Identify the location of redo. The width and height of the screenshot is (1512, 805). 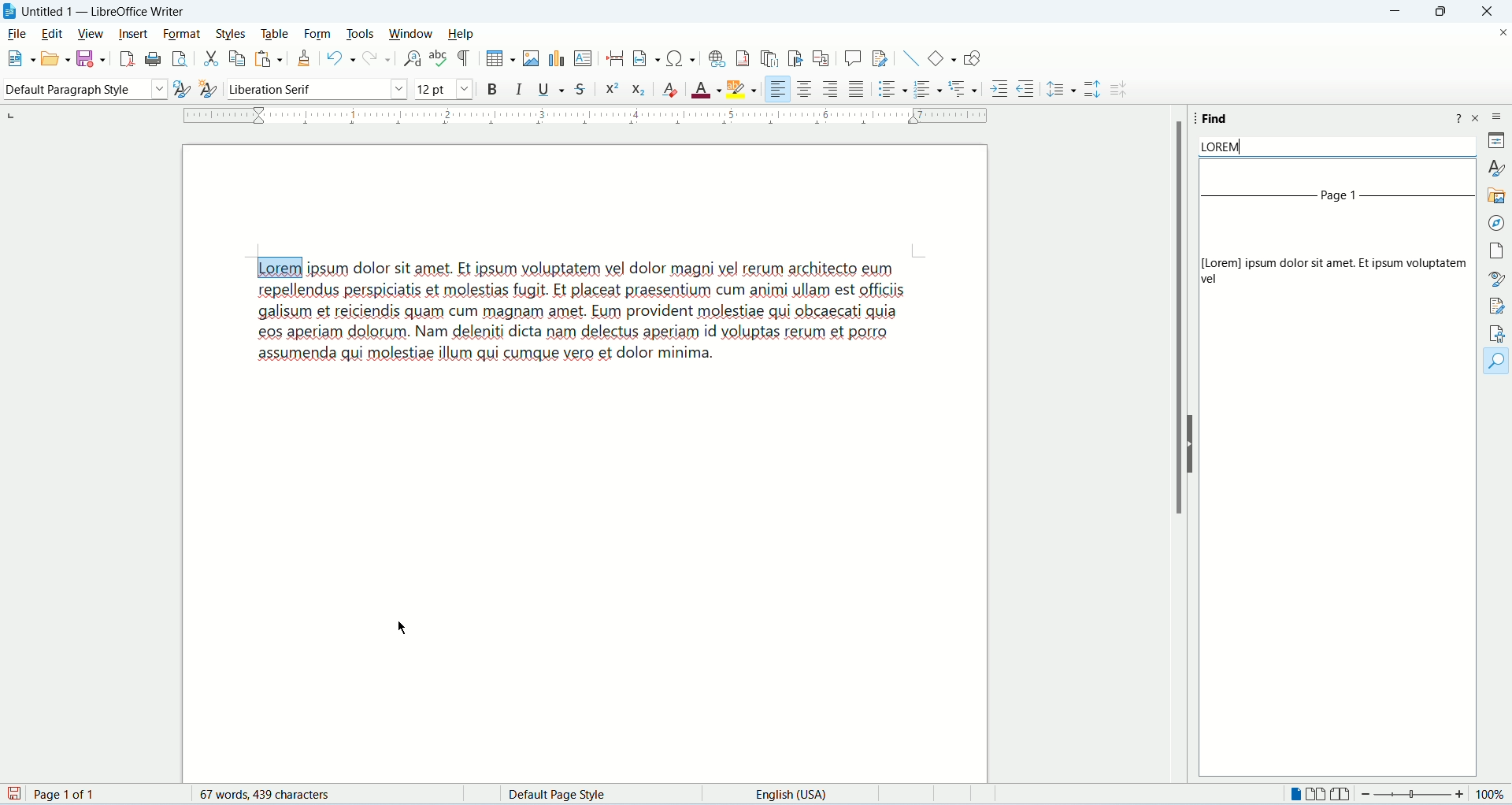
(376, 59).